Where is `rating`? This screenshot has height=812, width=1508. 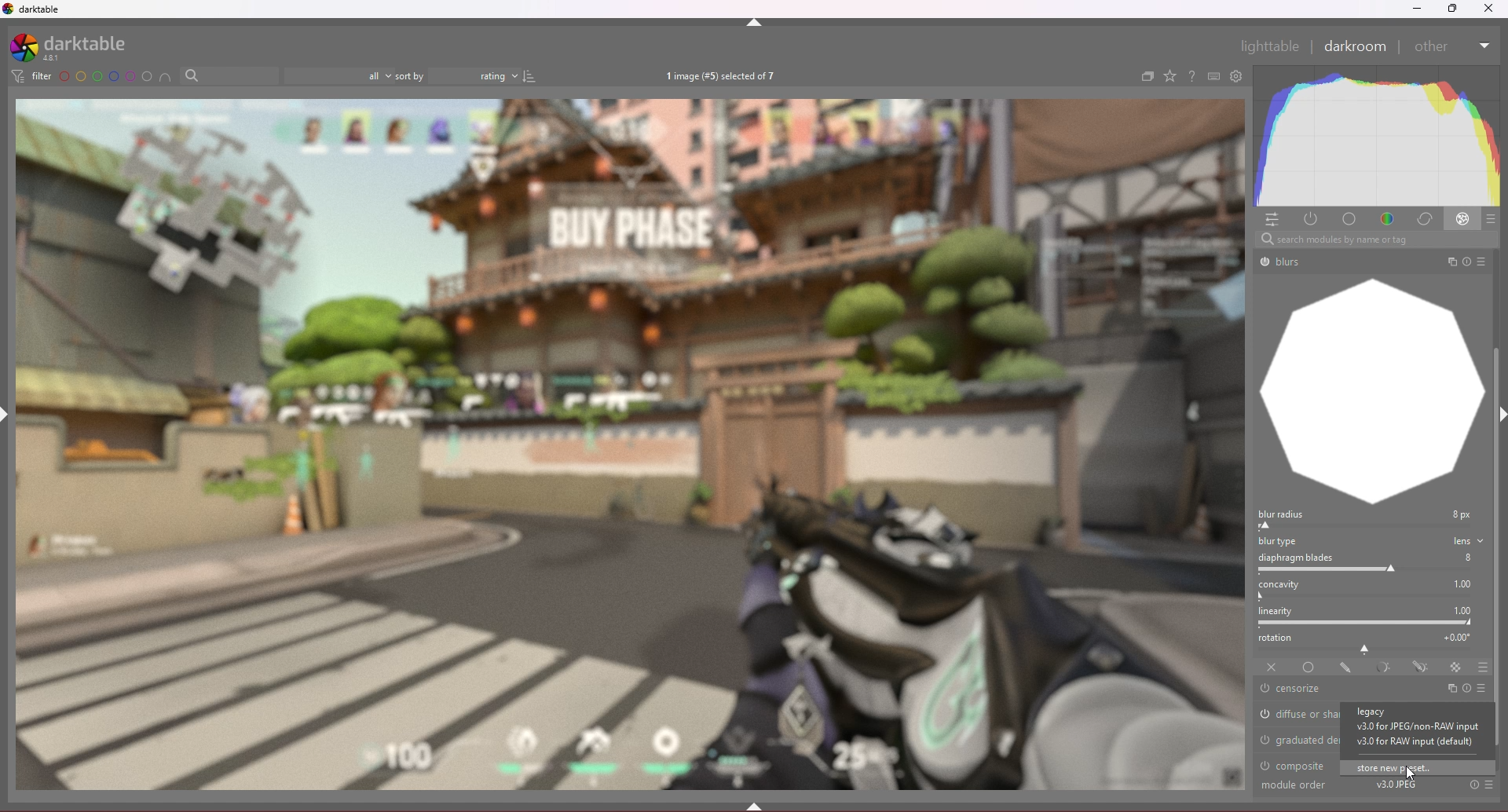 rating is located at coordinates (474, 75).